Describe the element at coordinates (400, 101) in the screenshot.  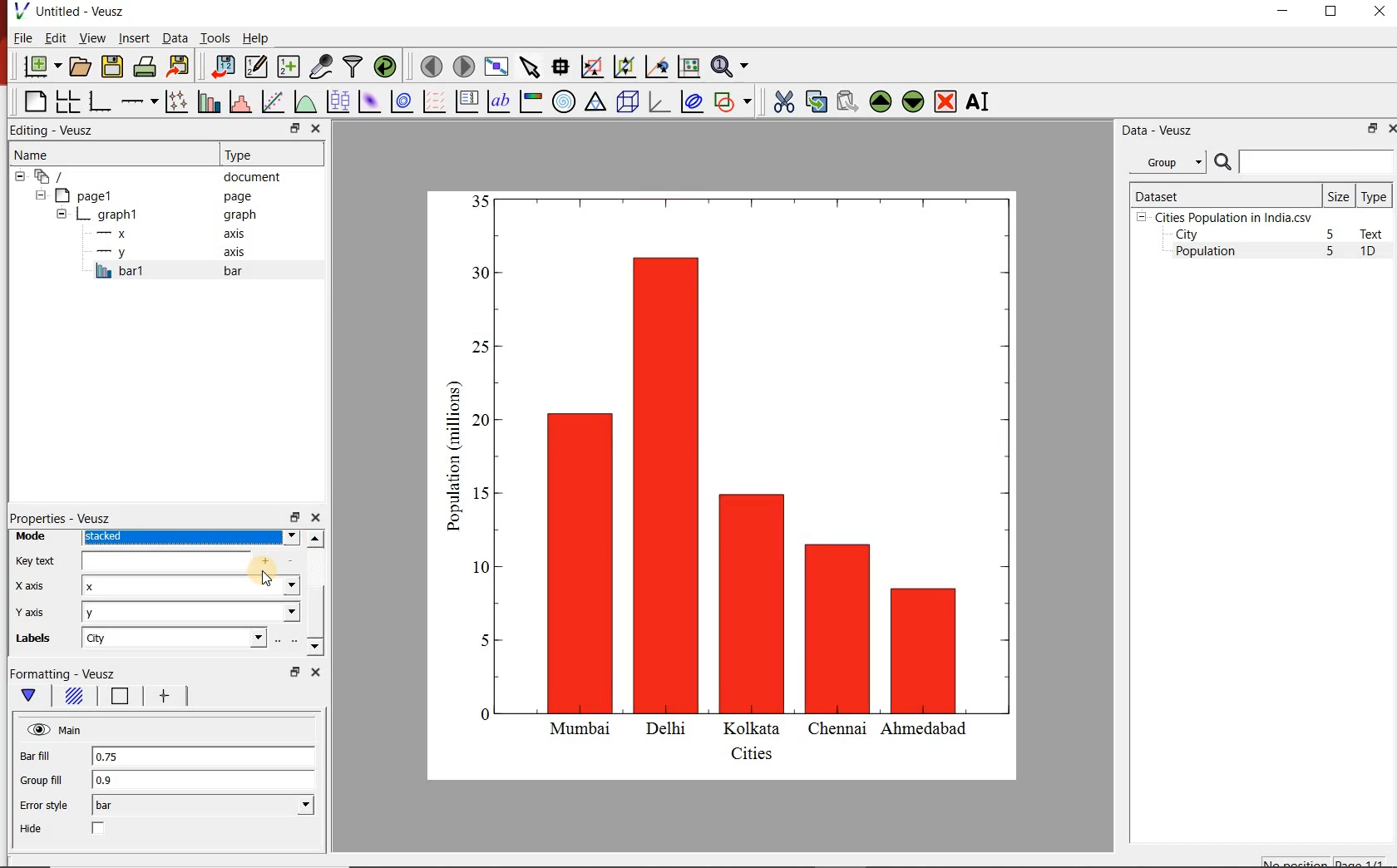
I see `plot a 2d dataset as contours` at that location.